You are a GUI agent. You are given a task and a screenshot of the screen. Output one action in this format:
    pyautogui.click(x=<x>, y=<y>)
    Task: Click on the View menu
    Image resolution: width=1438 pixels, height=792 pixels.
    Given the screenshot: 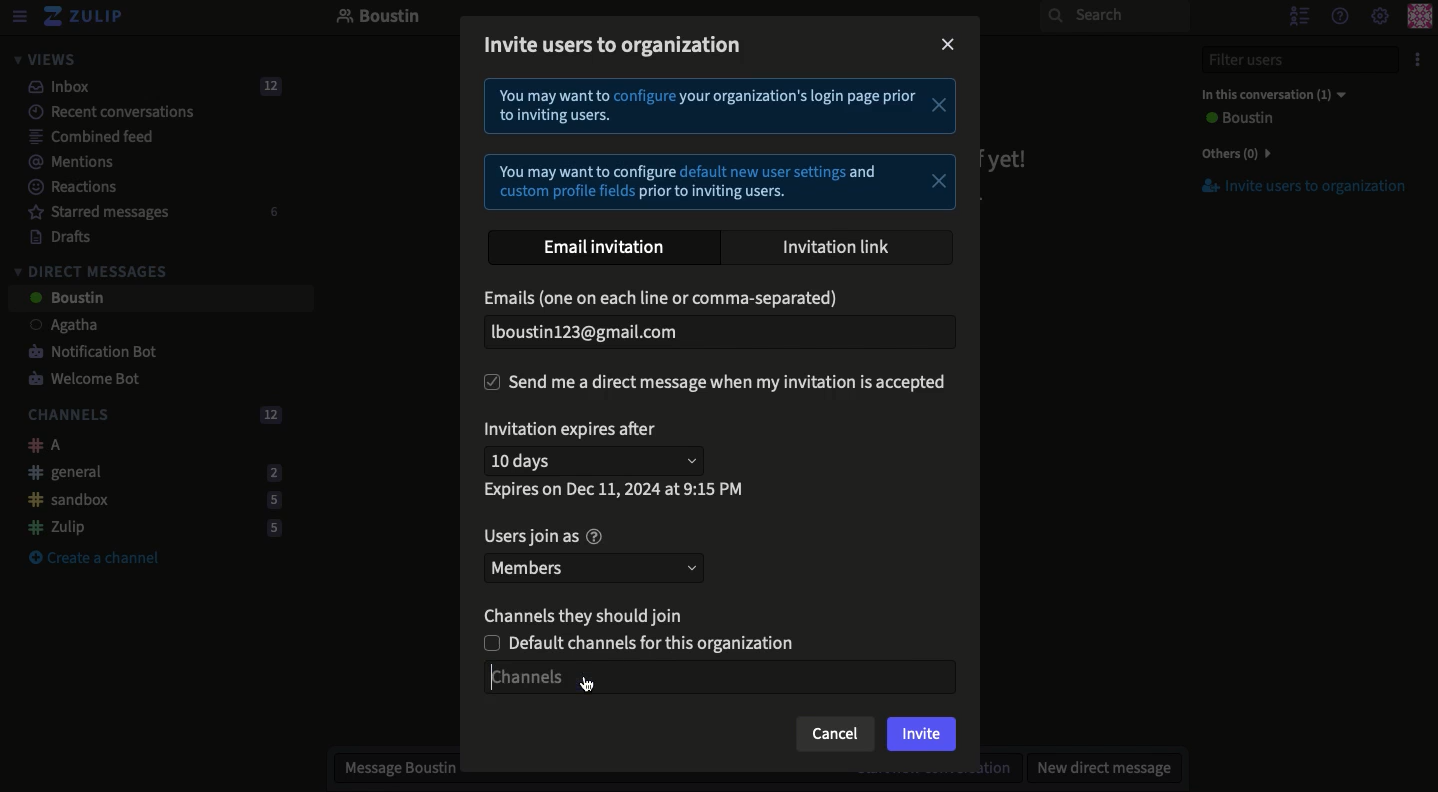 What is the action you would take?
    pyautogui.click(x=18, y=17)
    